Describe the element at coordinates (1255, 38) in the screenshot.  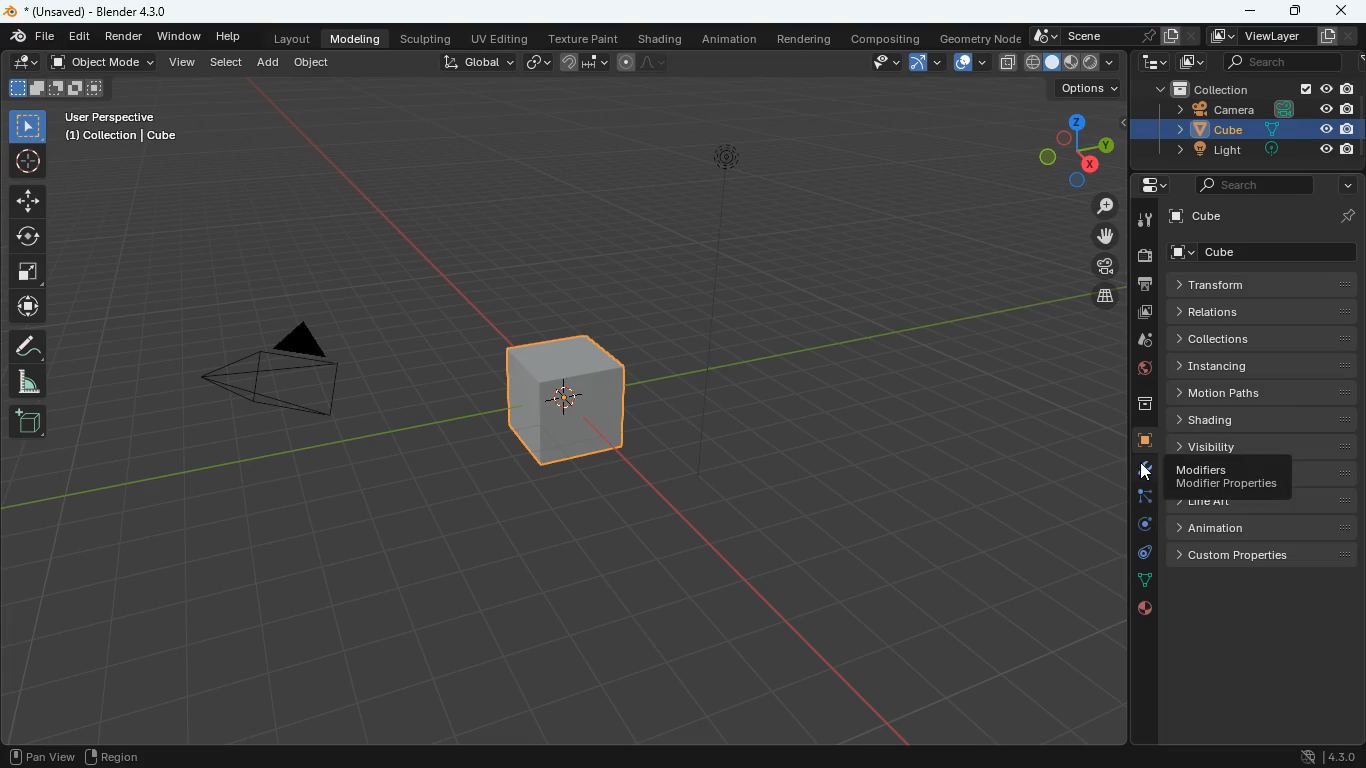
I see `viewlayer` at that location.